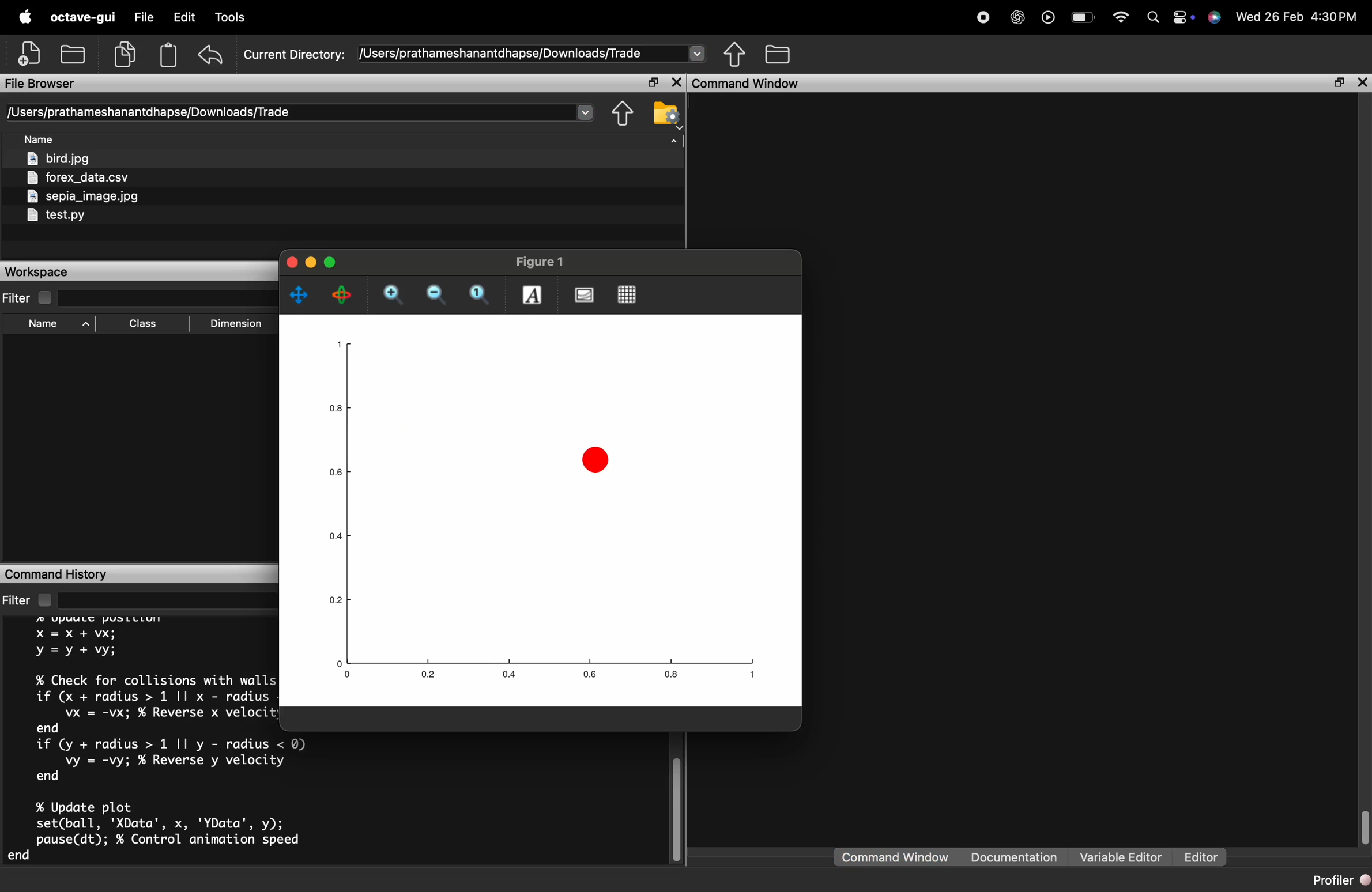 Image resolution: width=1372 pixels, height=892 pixels. Describe the element at coordinates (984, 17) in the screenshot. I see `stop recording` at that location.